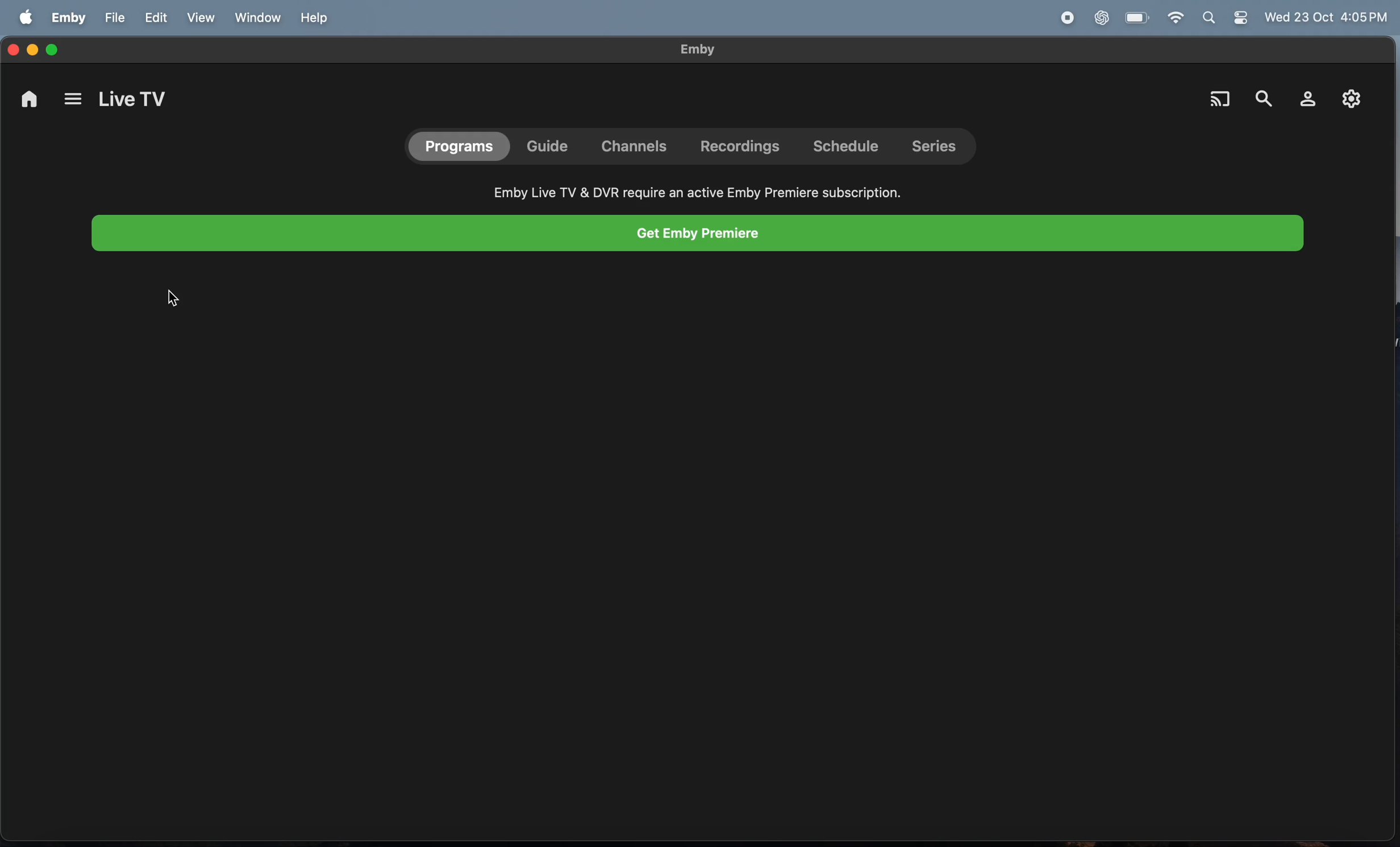 This screenshot has width=1400, height=847. Describe the element at coordinates (255, 18) in the screenshot. I see `window` at that location.